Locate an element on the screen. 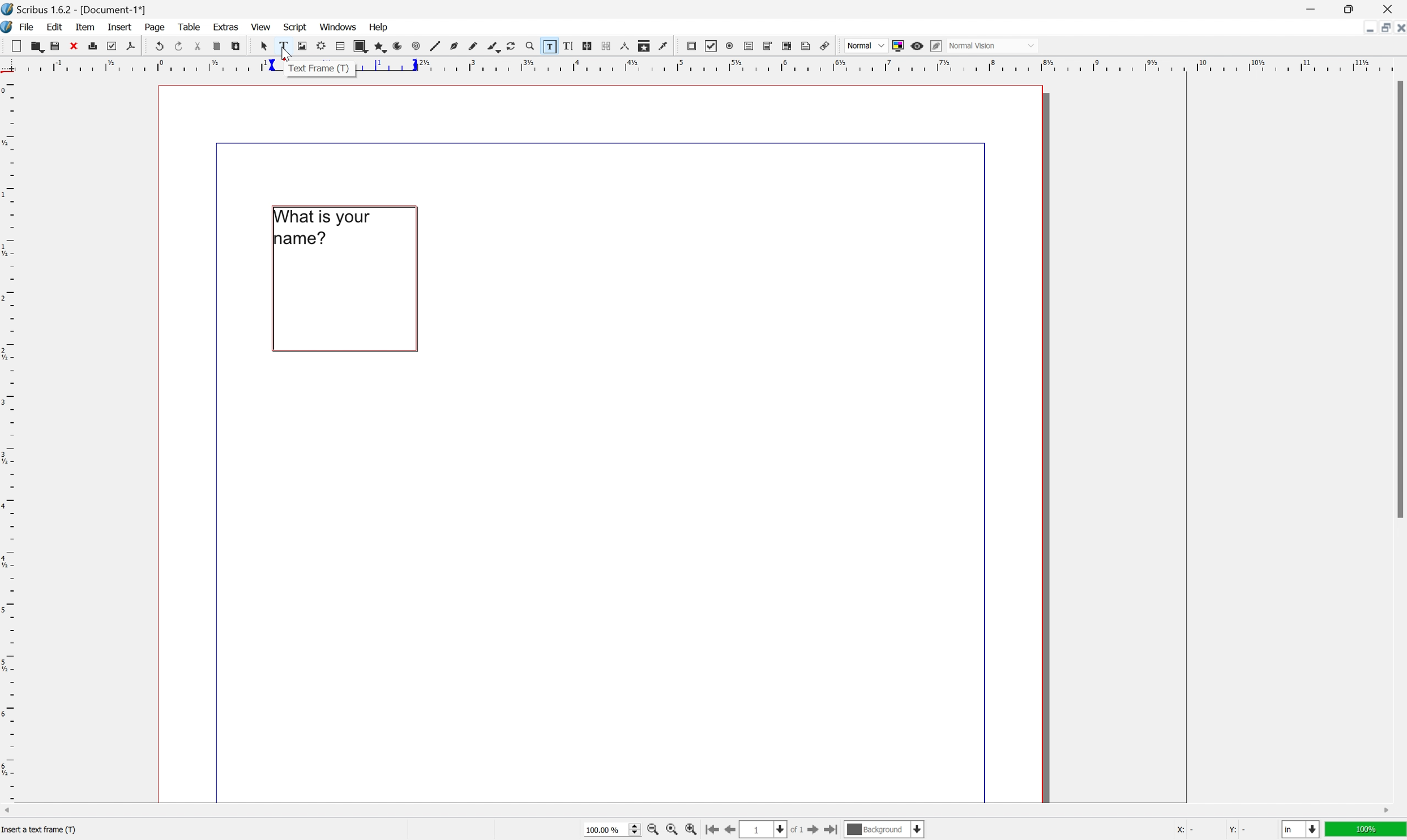  pdf text field is located at coordinates (749, 46).